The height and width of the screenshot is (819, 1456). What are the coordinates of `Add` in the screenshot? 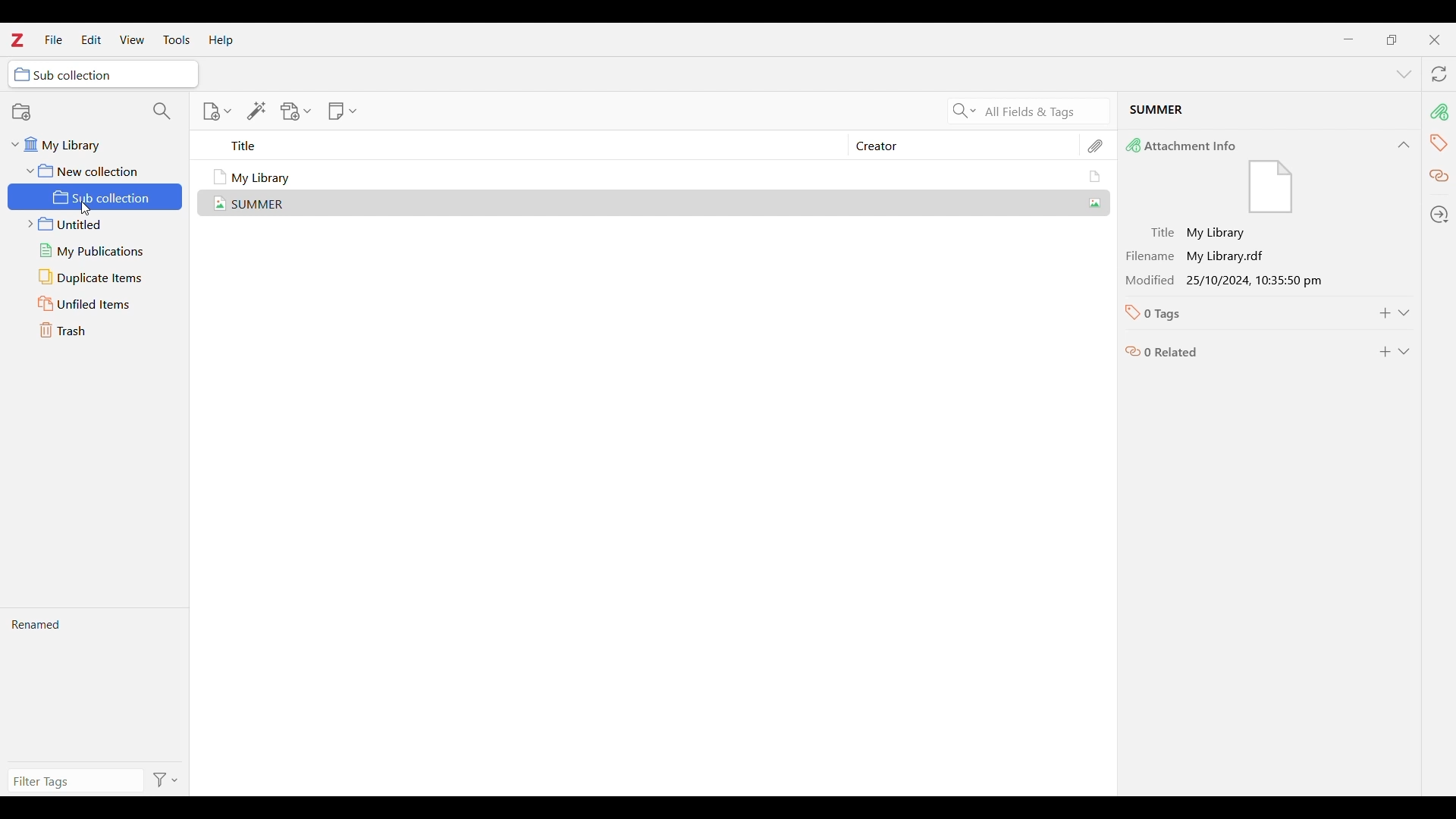 It's located at (1385, 352).